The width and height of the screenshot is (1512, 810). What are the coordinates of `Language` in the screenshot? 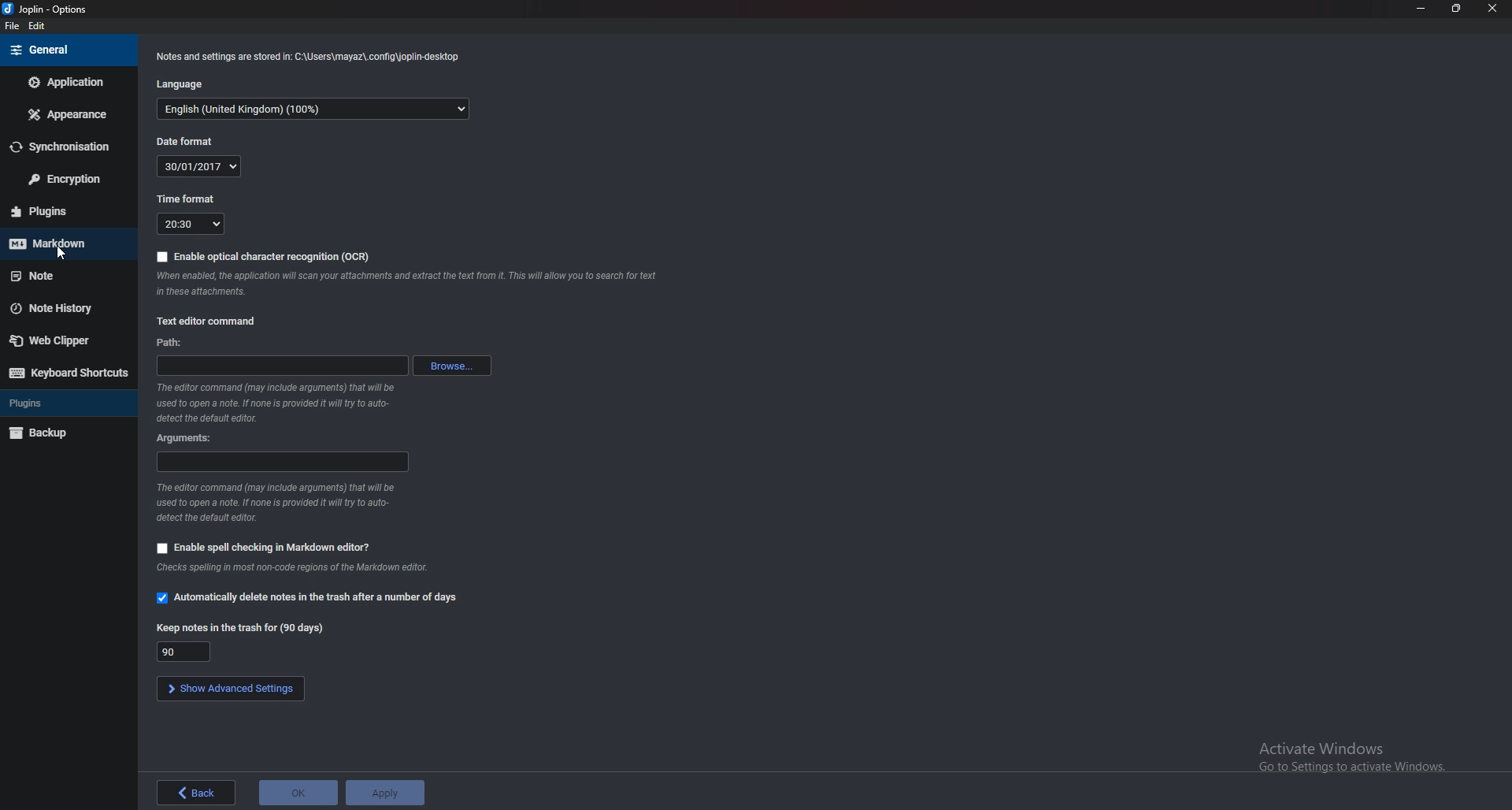 It's located at (316, 109).